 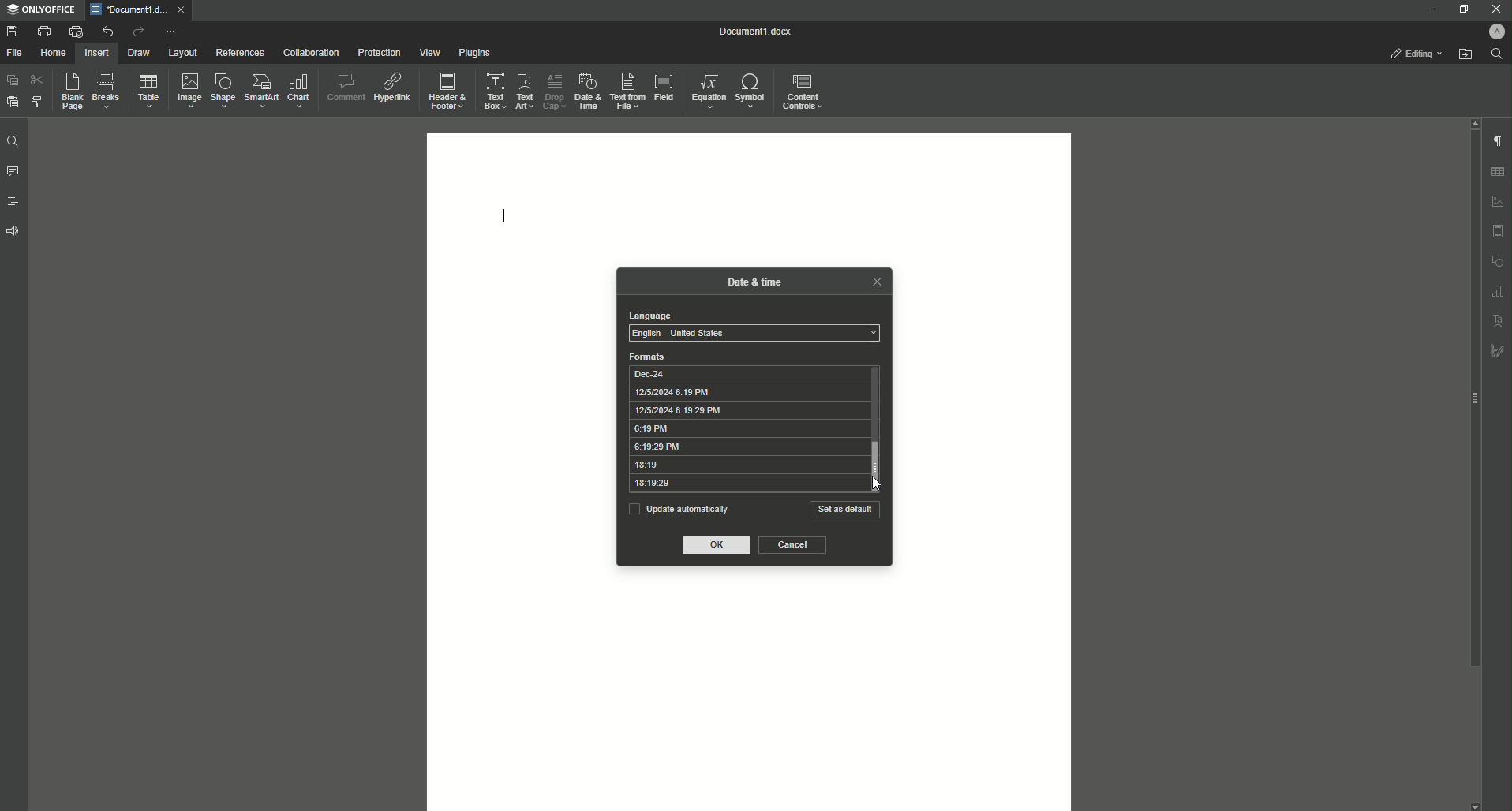 What do you see at coordinates (1498, 290) in the screenshot?
I see `graph settings` at bounding box center [1498, 290].